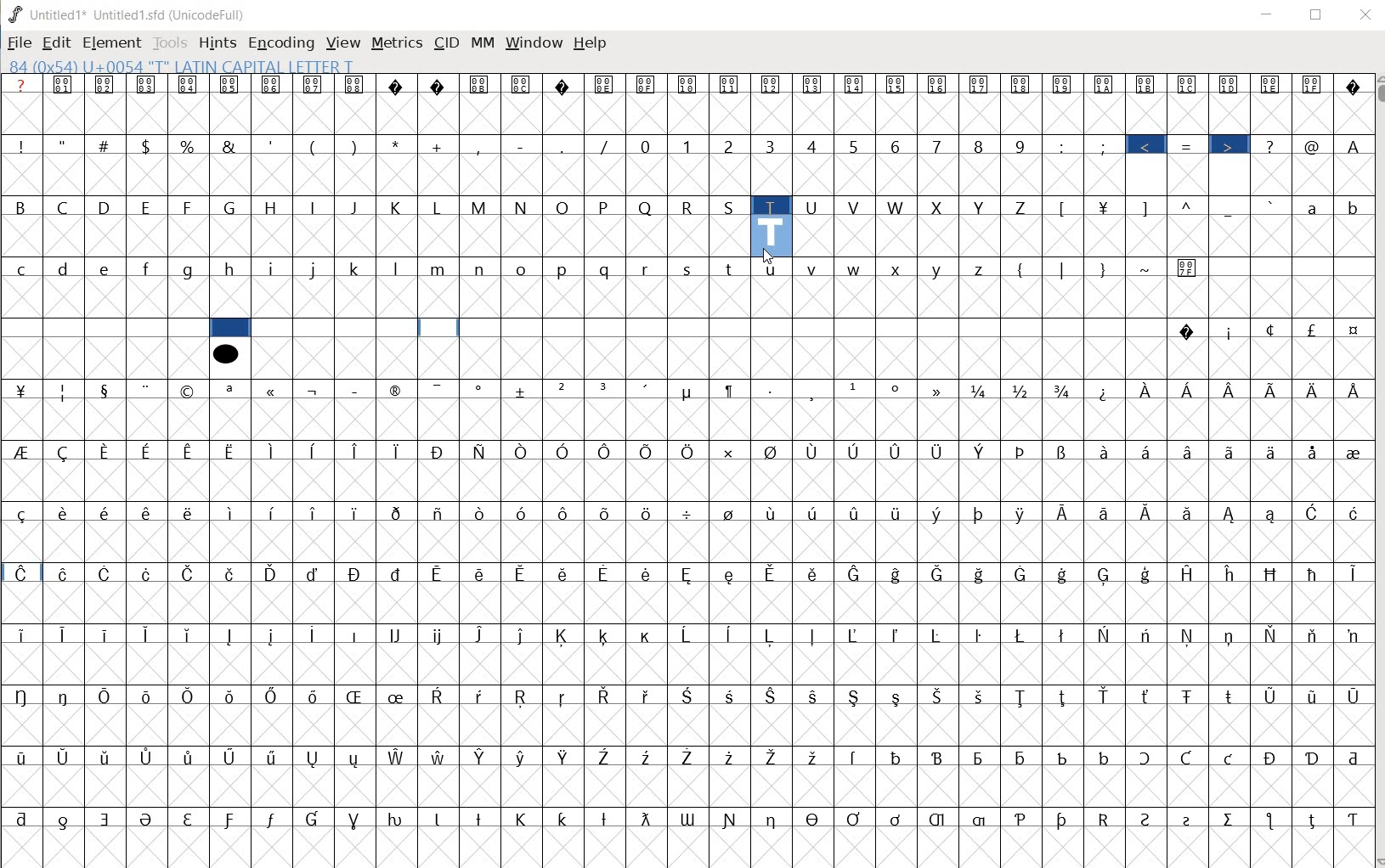  What do you see at coordinates (605, 85) in the screenshot?
I see `Symbol` at bounding box center [605, 85].